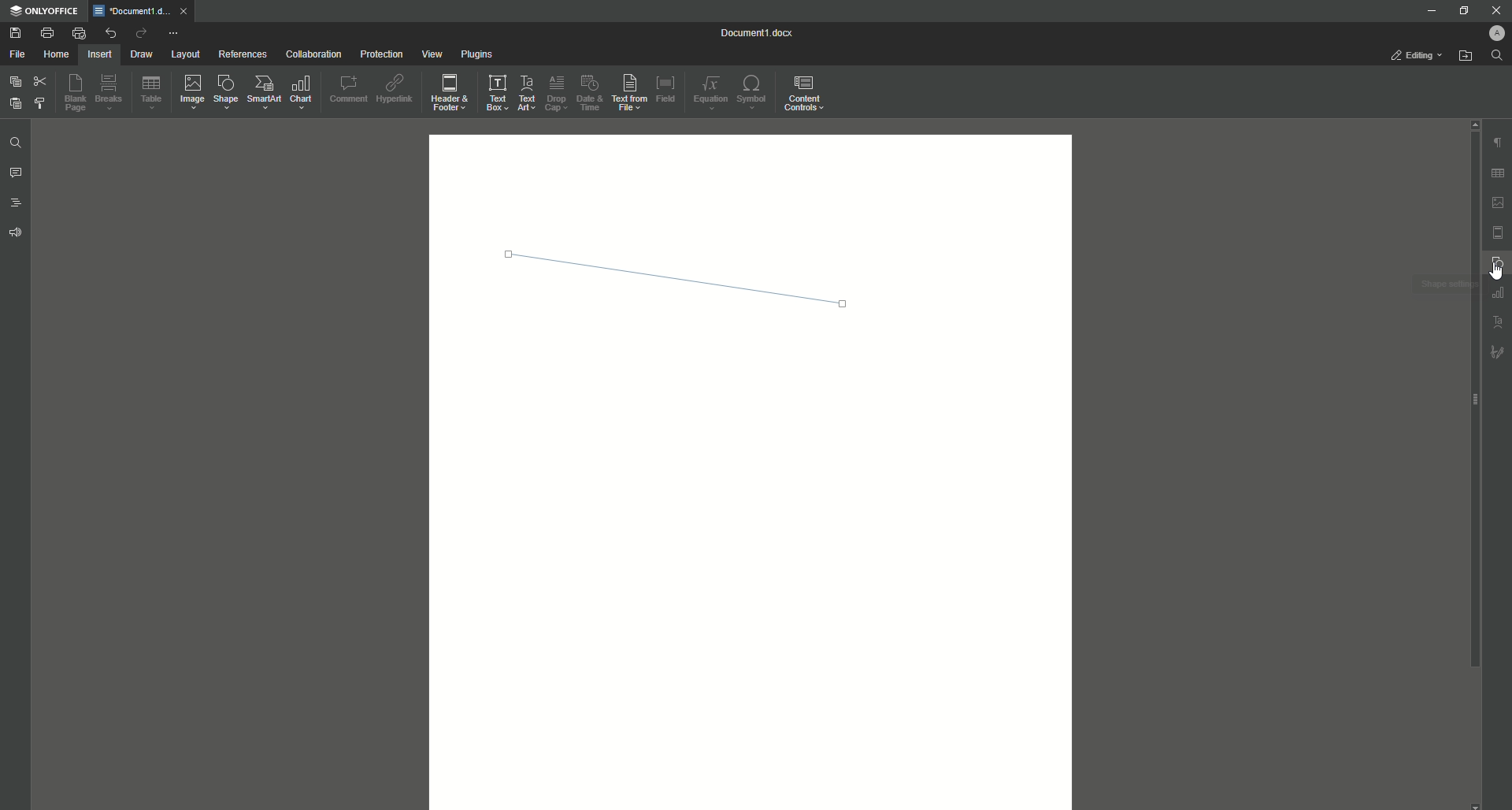 The image size is (1512, 810). What do you see at coordinates (451, 94) in the screenshot?
I see `Header and Footer` at bounding box center [451, 94].